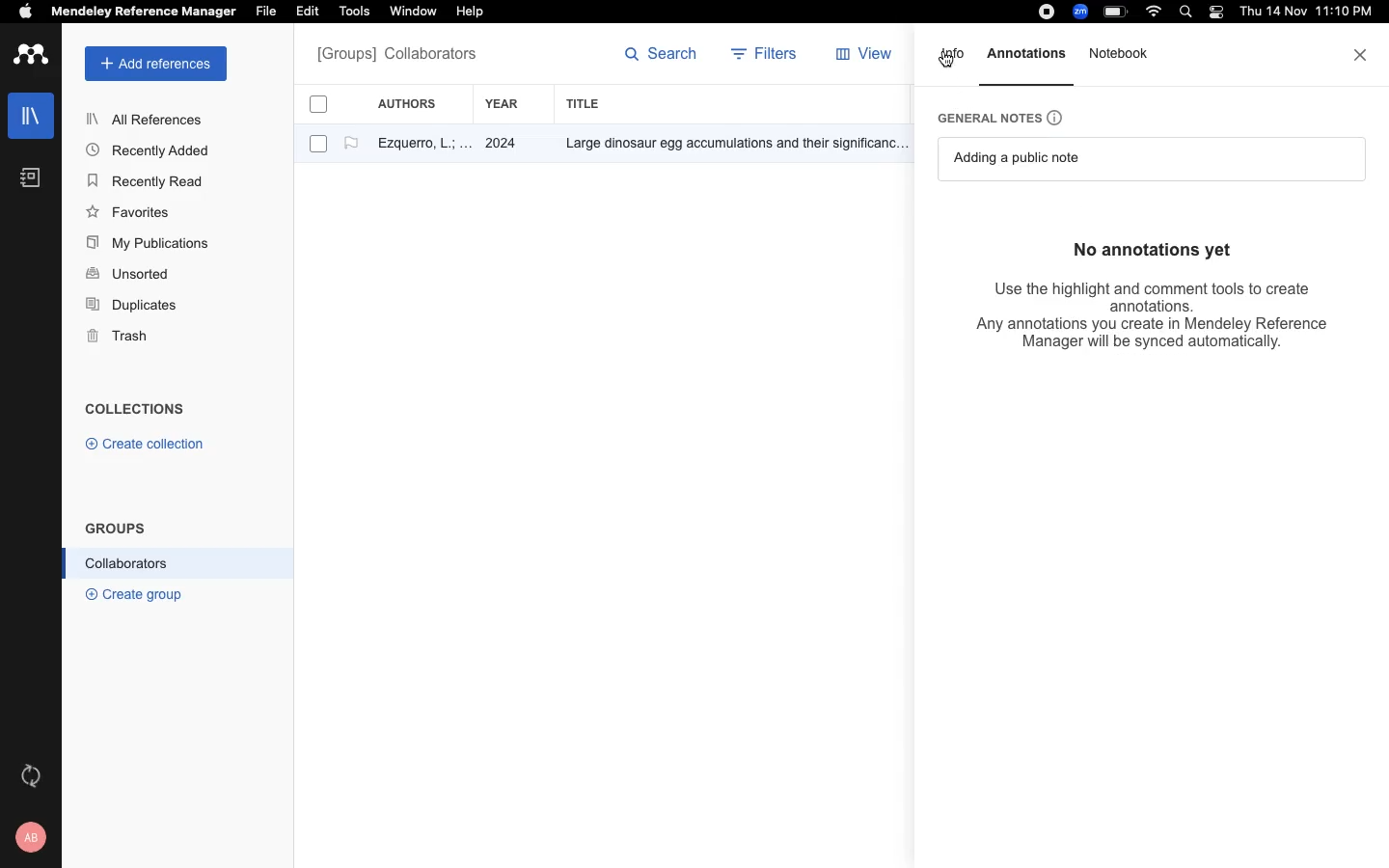  I want to click on © Create collection, so click(146, 448).